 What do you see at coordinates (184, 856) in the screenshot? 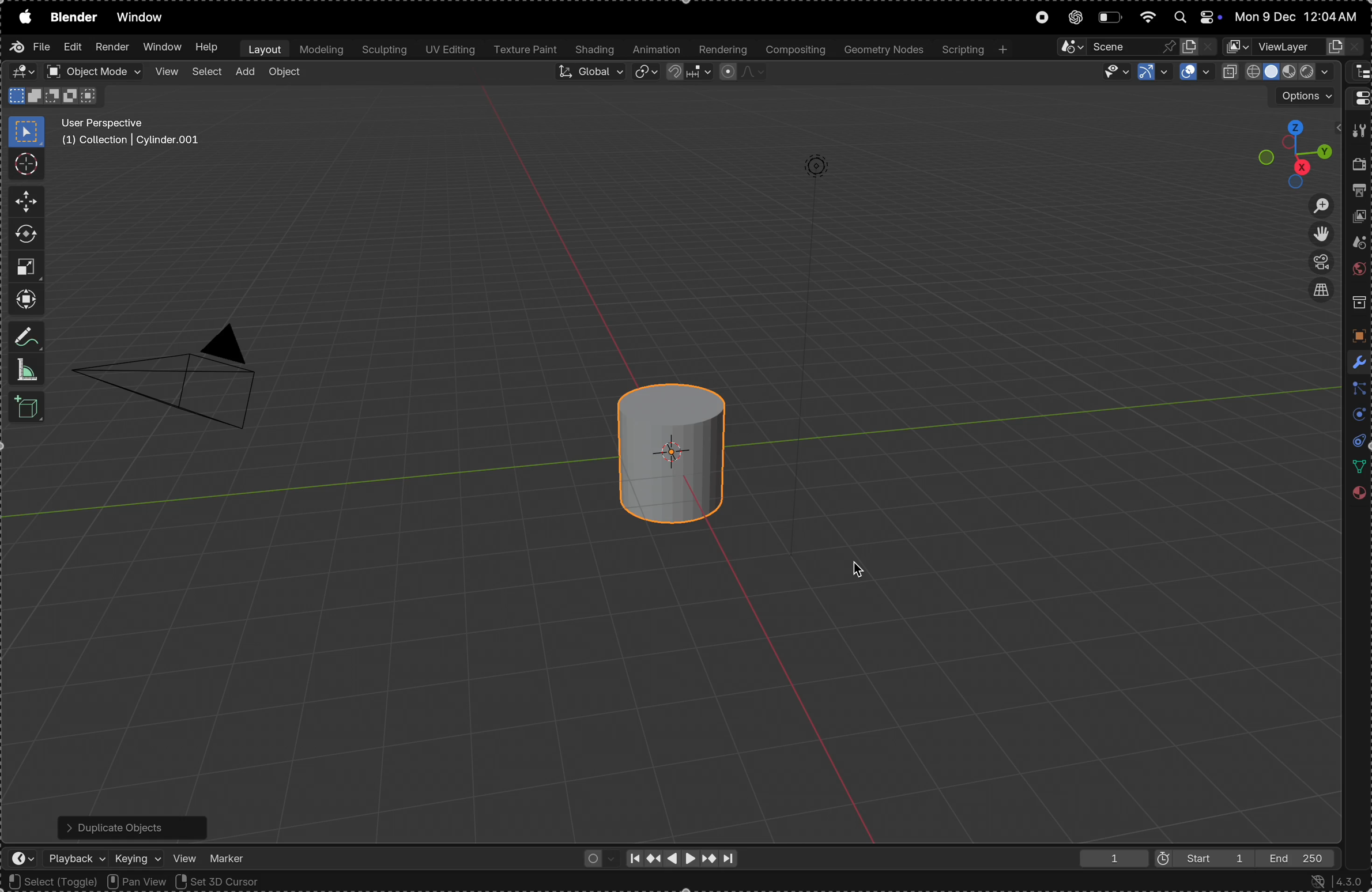
I see `view` at bounding box center [184, 856].